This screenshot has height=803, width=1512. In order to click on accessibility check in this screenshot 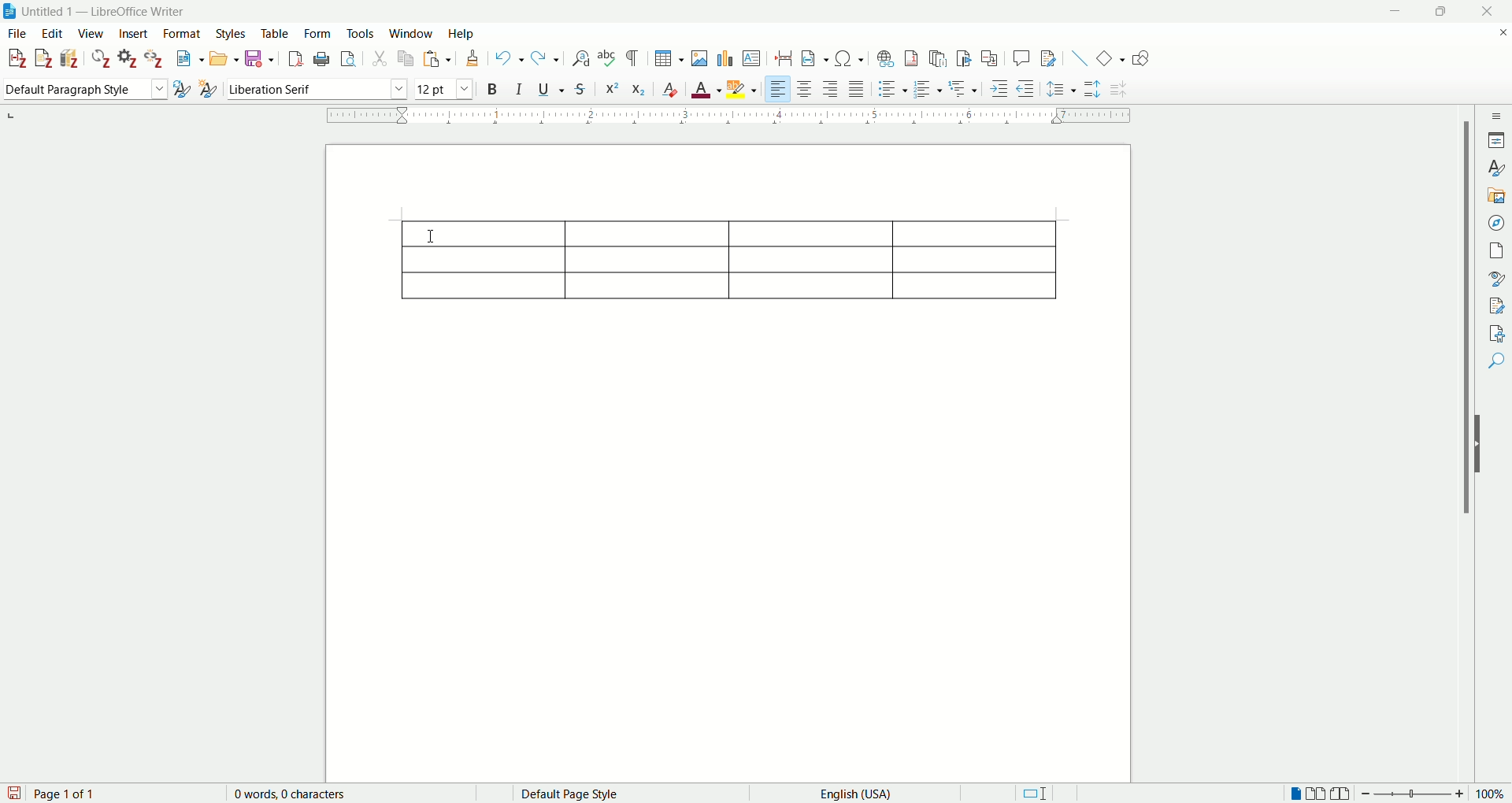, I will do `click(1495, 335)`.